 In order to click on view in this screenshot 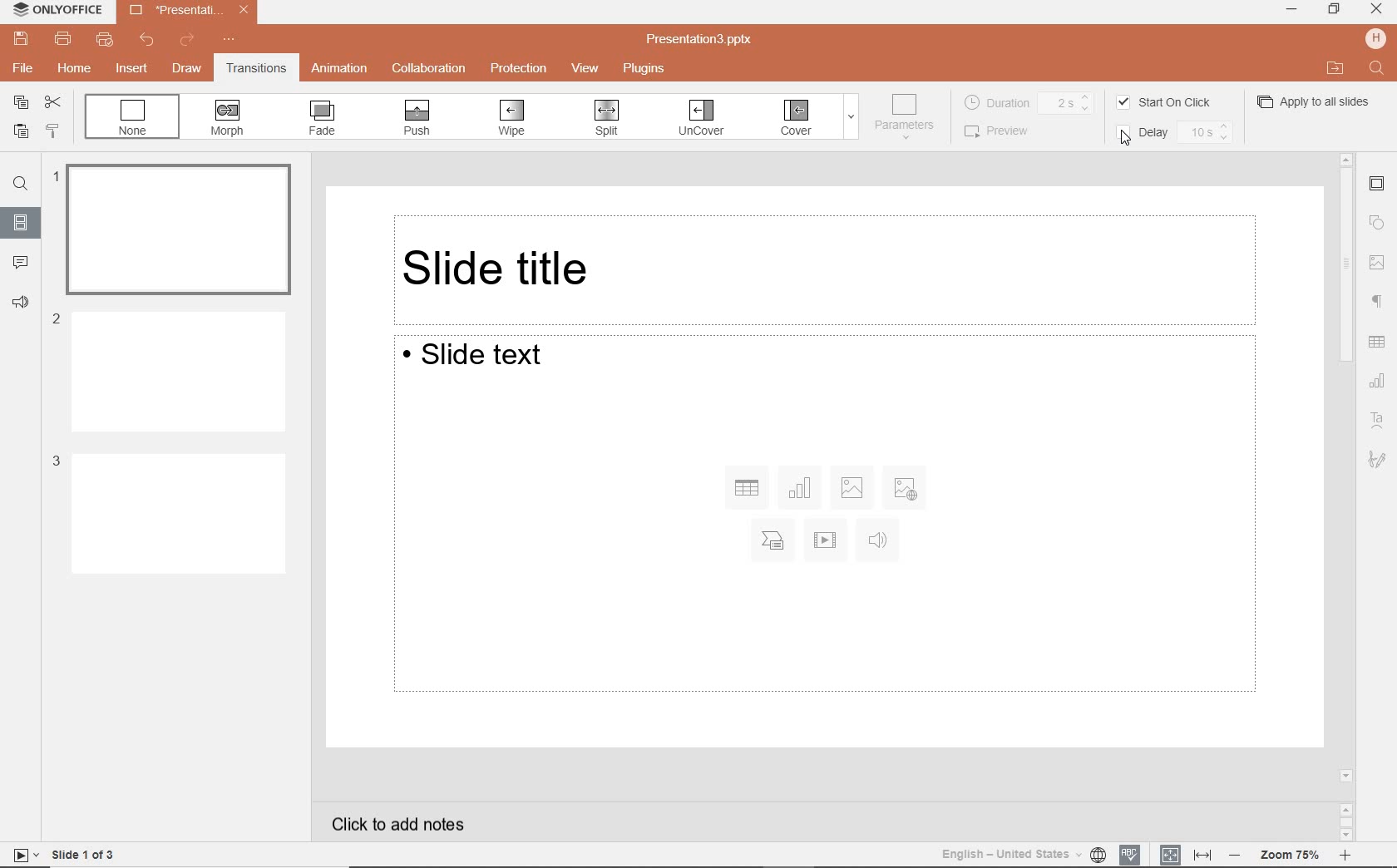, I will do `click(587, 70)`.